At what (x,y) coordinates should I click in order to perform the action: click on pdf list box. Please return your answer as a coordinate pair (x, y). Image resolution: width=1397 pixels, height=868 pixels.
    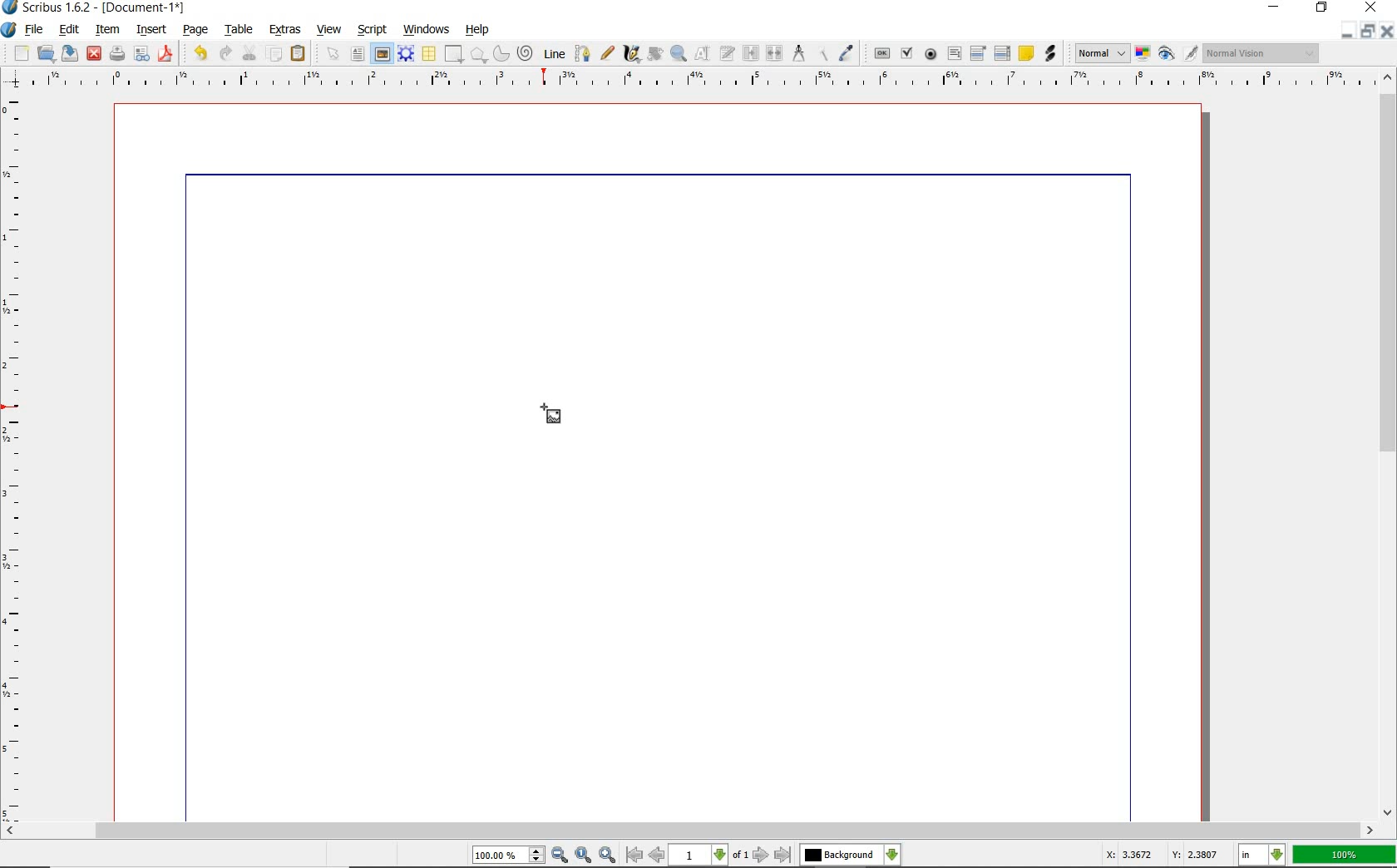
    Looking at the image, I should click on (1002, 55).